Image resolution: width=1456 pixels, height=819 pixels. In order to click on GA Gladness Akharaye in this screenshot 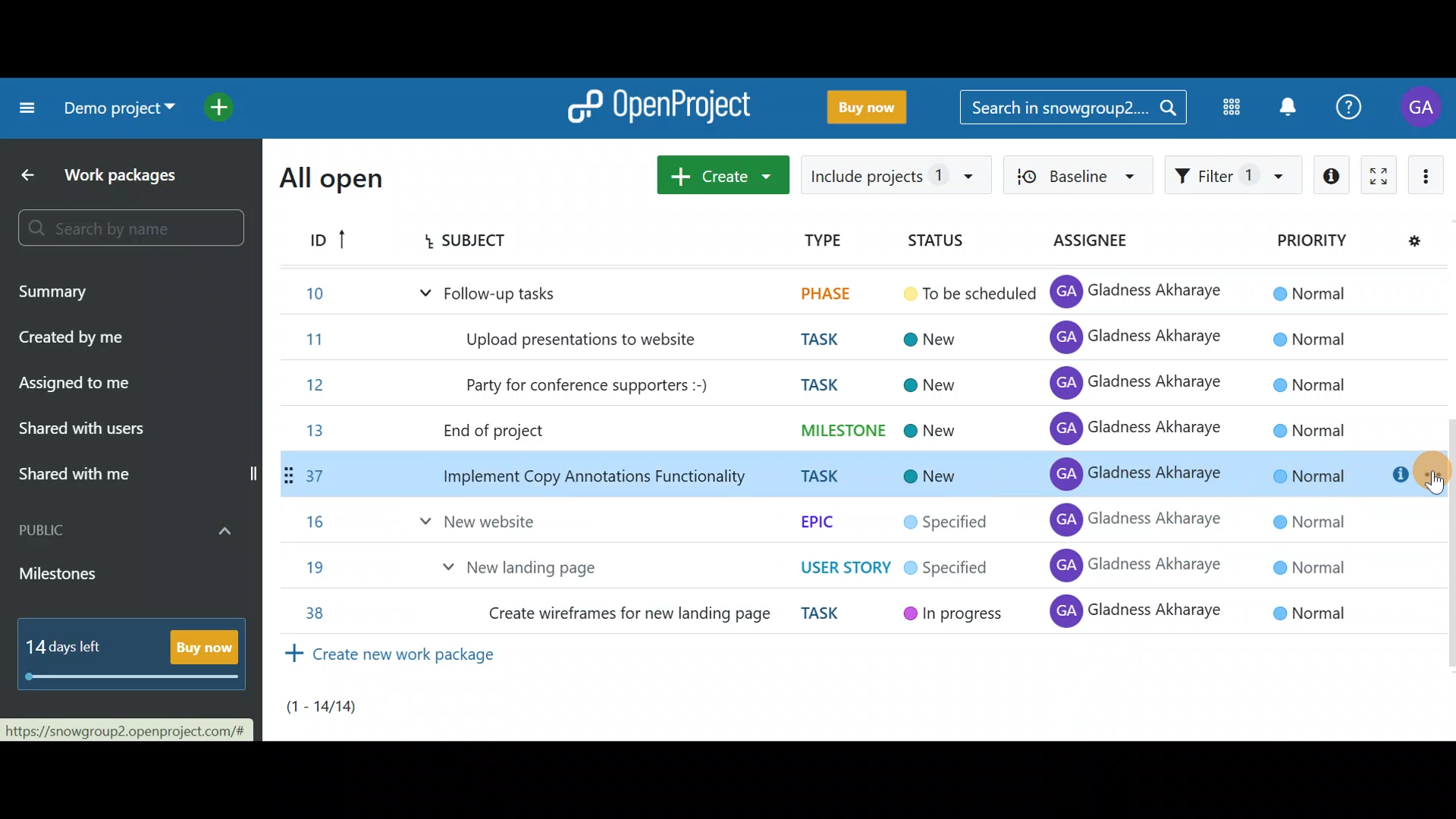, I will do `click(1131, 474)`.